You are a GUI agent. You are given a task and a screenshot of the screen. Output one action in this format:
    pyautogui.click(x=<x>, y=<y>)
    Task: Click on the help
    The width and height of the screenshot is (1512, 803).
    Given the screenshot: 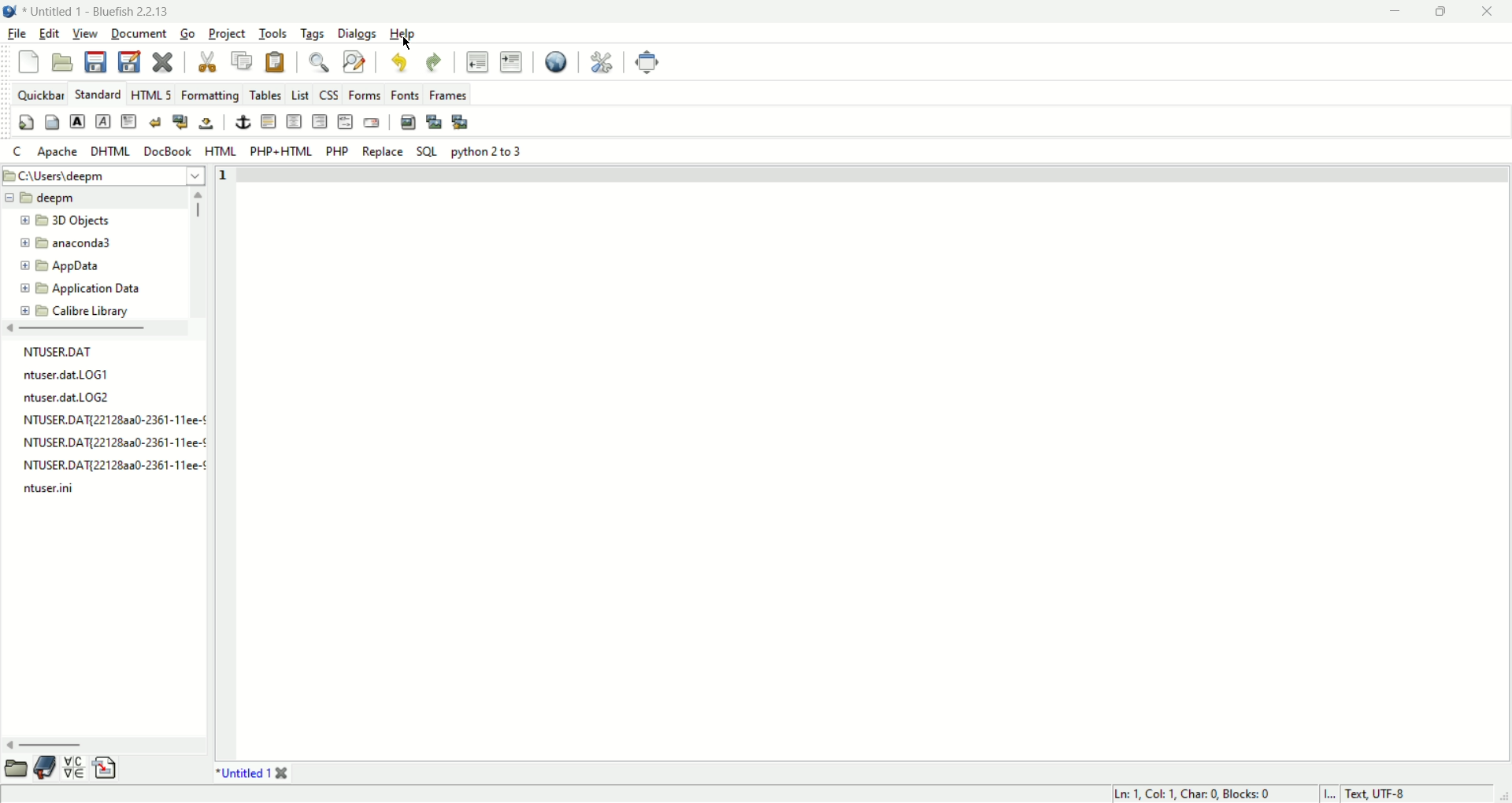 What is the action you would take?
    pyautogui.click(x=405, y=32)
    